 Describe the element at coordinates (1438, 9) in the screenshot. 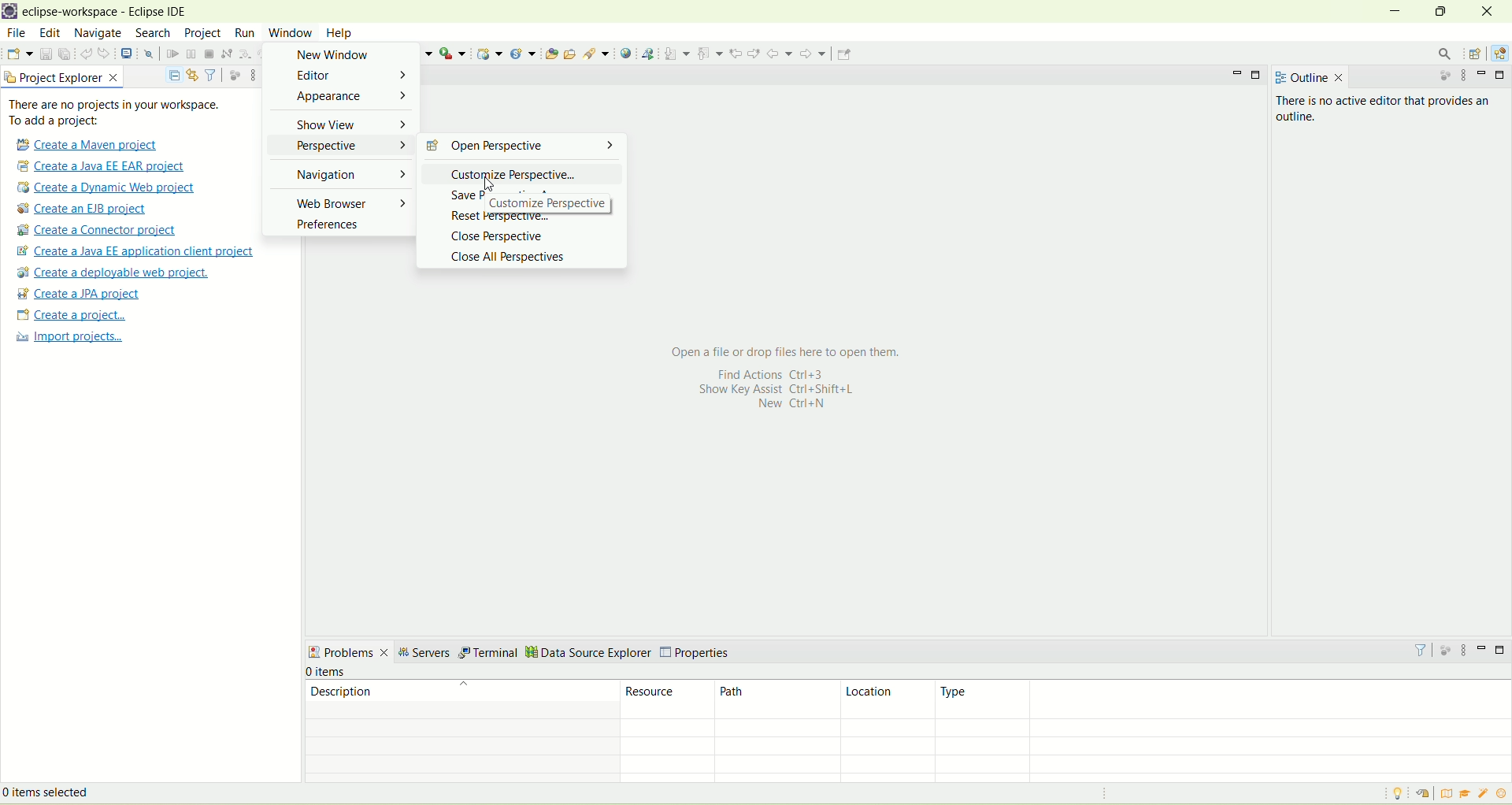

I see `maximize` at that location.